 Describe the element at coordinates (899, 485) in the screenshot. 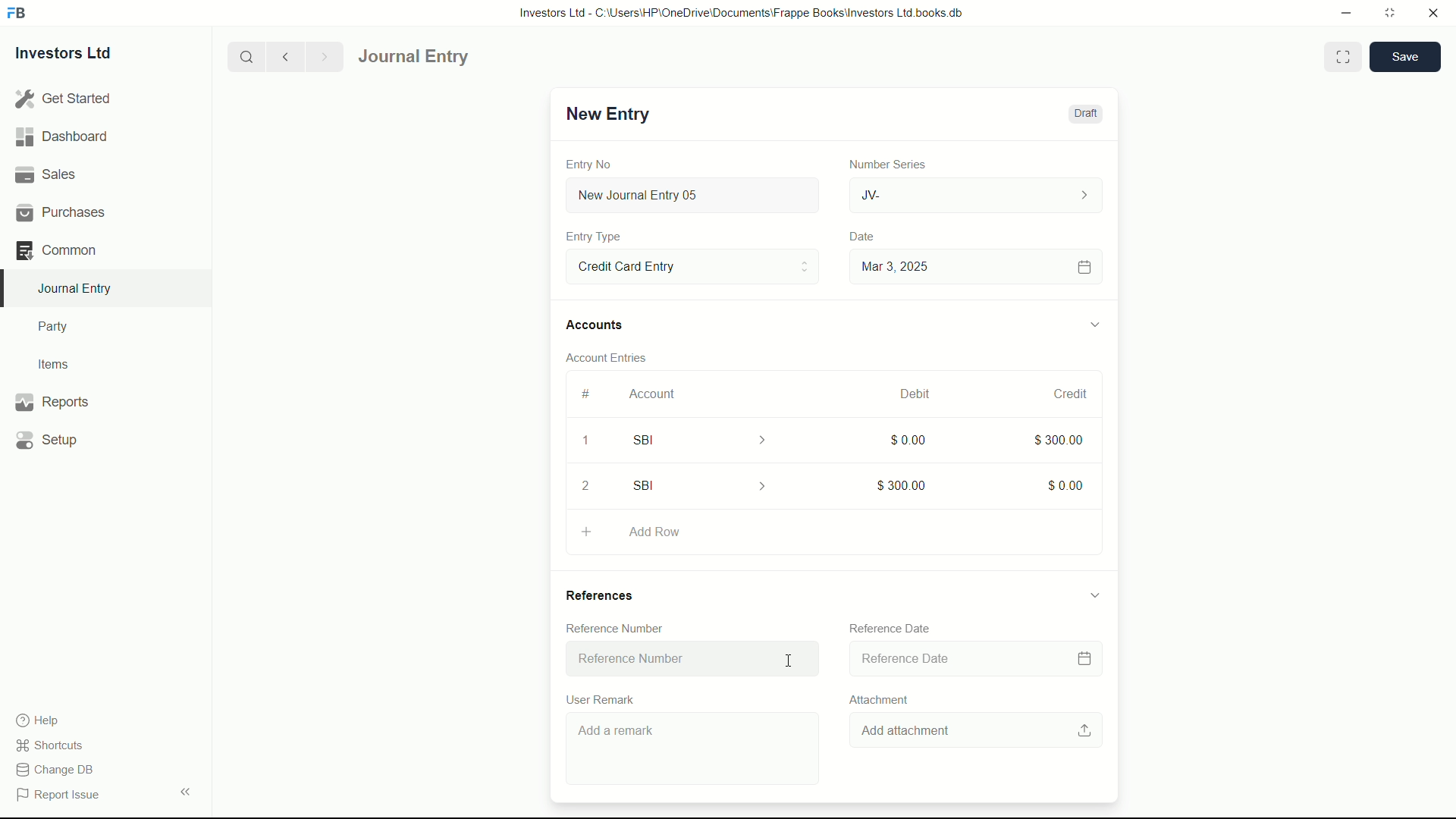

I see `$300.00` at that location.